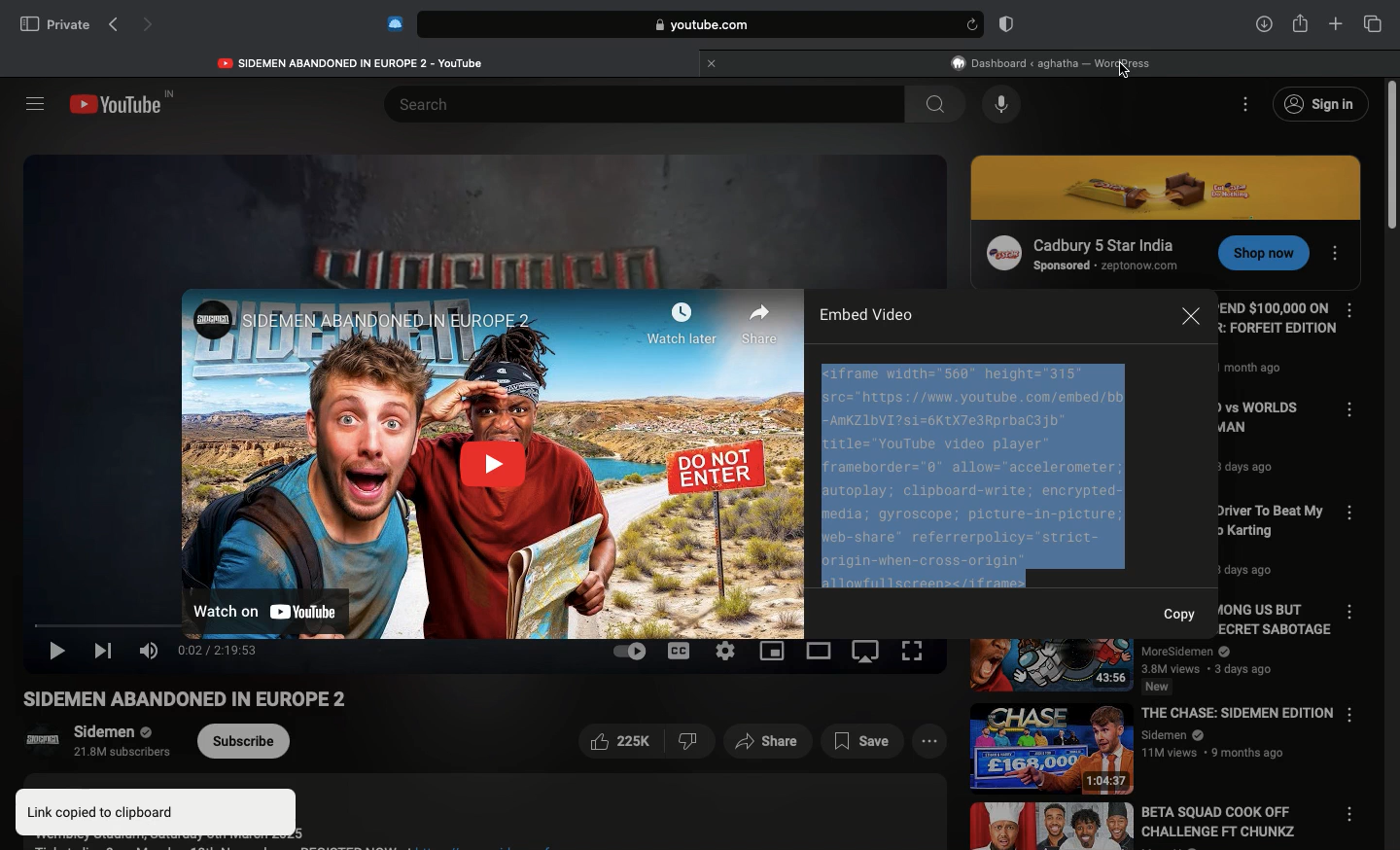 This screenshot has height=850, width=1400. I want to click on CTA, so click(1257, 256).